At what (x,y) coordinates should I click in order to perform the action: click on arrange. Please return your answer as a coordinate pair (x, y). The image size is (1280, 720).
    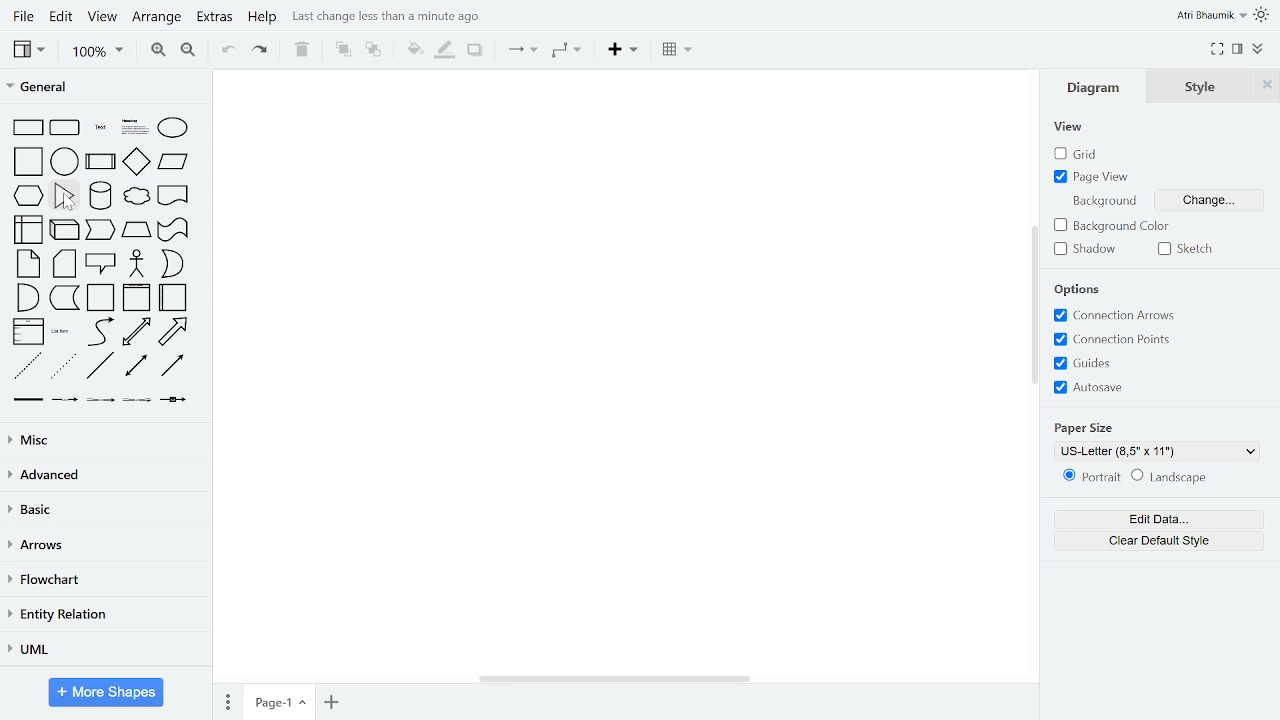
    Looking at the image, I should click on (158, 17).